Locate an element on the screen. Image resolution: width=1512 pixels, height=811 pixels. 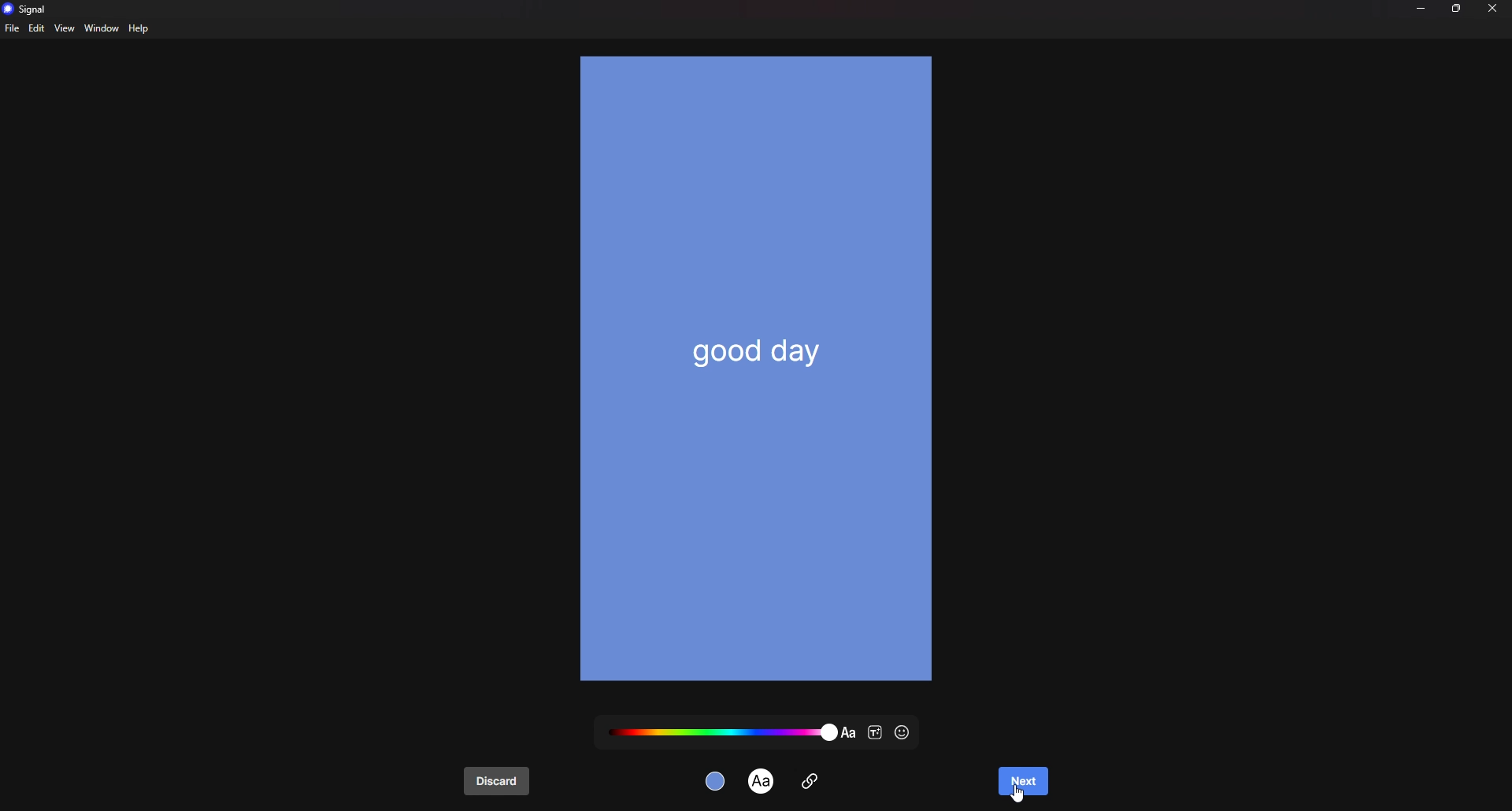
cursor is located at coordinates (1018, 794).